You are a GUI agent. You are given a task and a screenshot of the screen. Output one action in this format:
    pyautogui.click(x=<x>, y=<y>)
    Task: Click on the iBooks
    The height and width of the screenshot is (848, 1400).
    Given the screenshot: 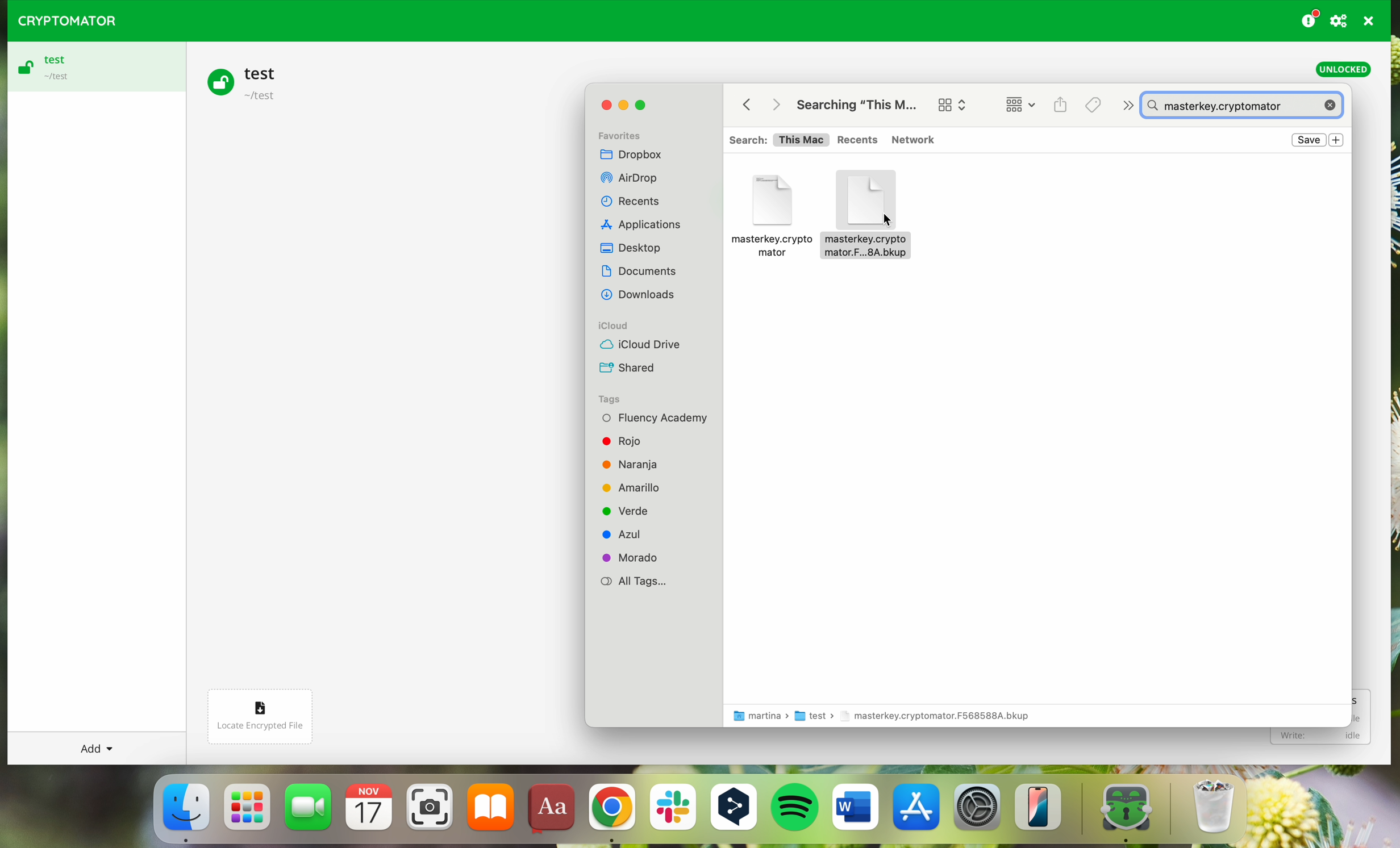 What is the action you would take?
    pyautogui.click(x=491, y=811)
    